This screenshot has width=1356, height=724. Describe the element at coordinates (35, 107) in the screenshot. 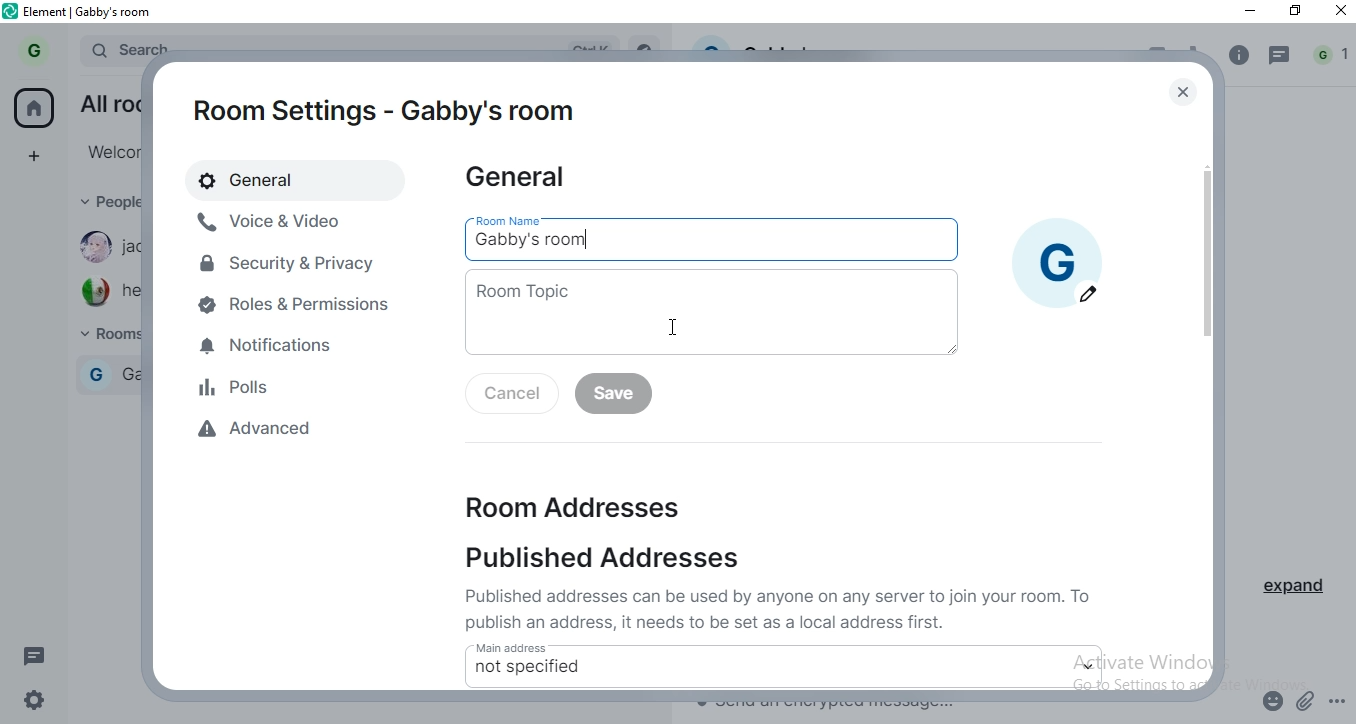

I see `home` at that location.